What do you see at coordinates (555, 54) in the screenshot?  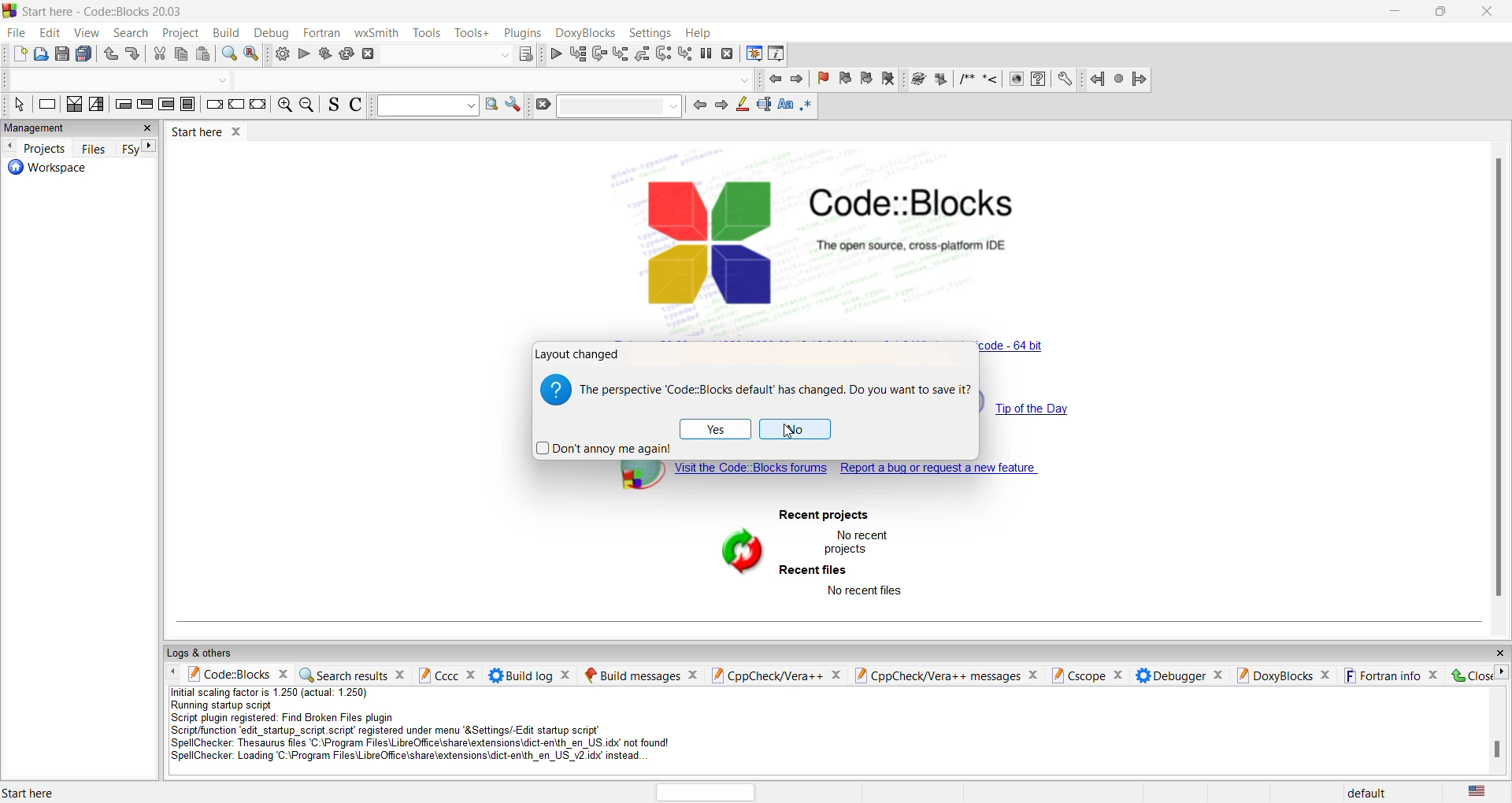 I see `debug` at bounding box center [555, 54].